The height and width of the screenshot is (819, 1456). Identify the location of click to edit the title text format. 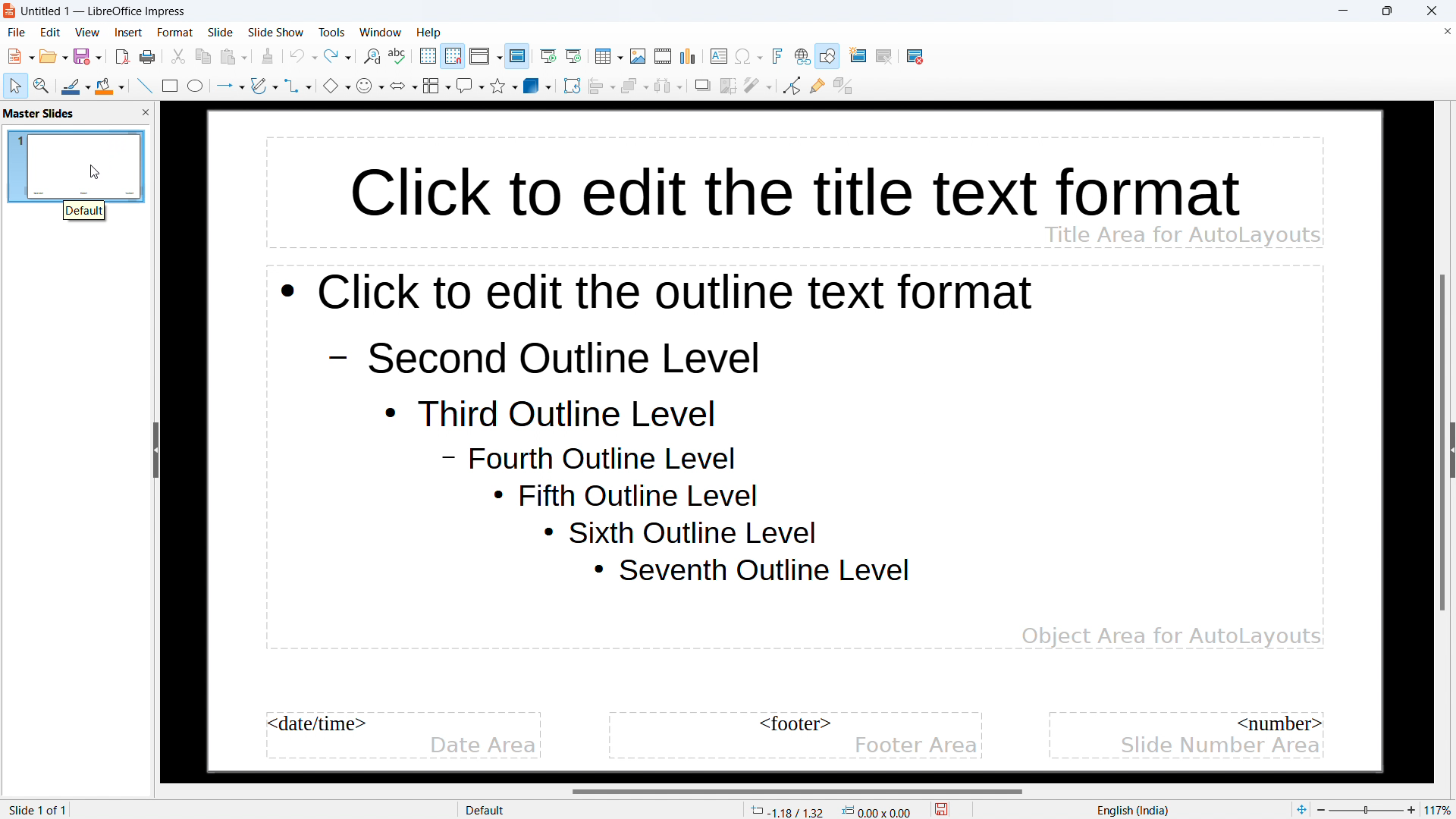
(763, 180).